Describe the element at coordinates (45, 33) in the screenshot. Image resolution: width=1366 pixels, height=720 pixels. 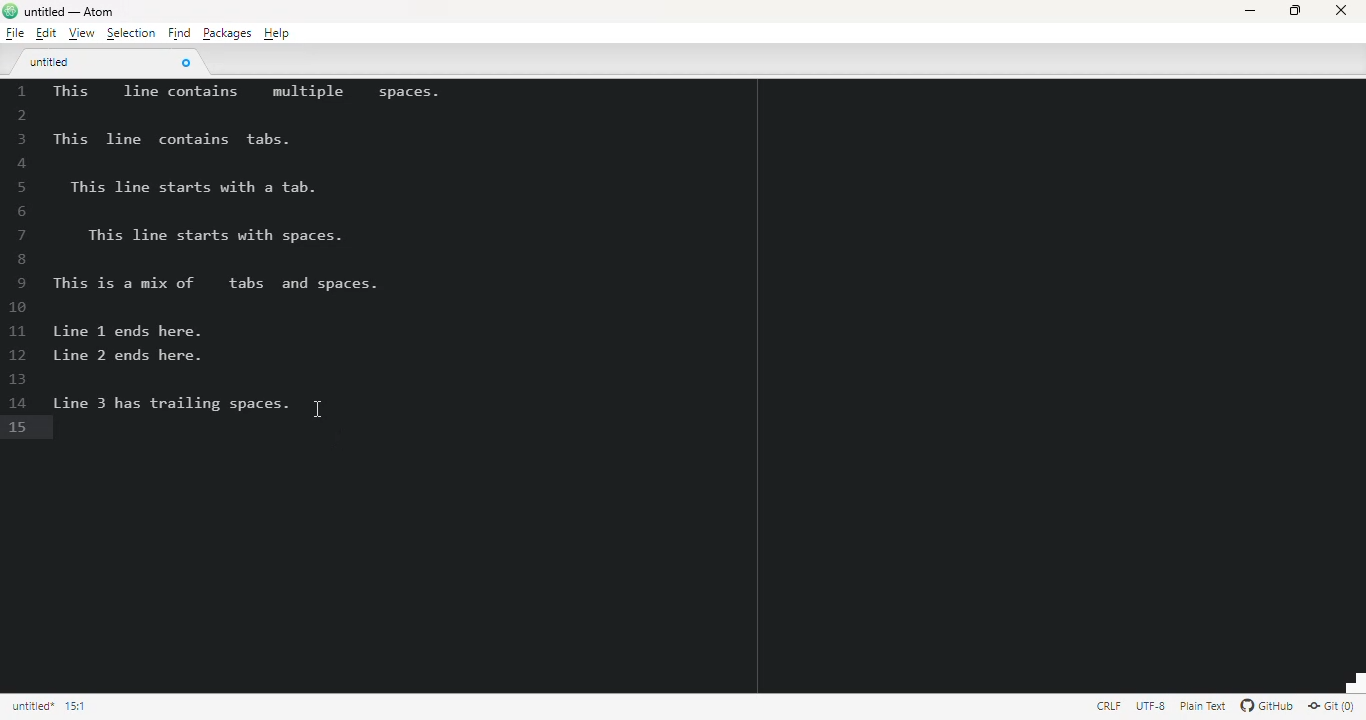
I see `edit` at that location.